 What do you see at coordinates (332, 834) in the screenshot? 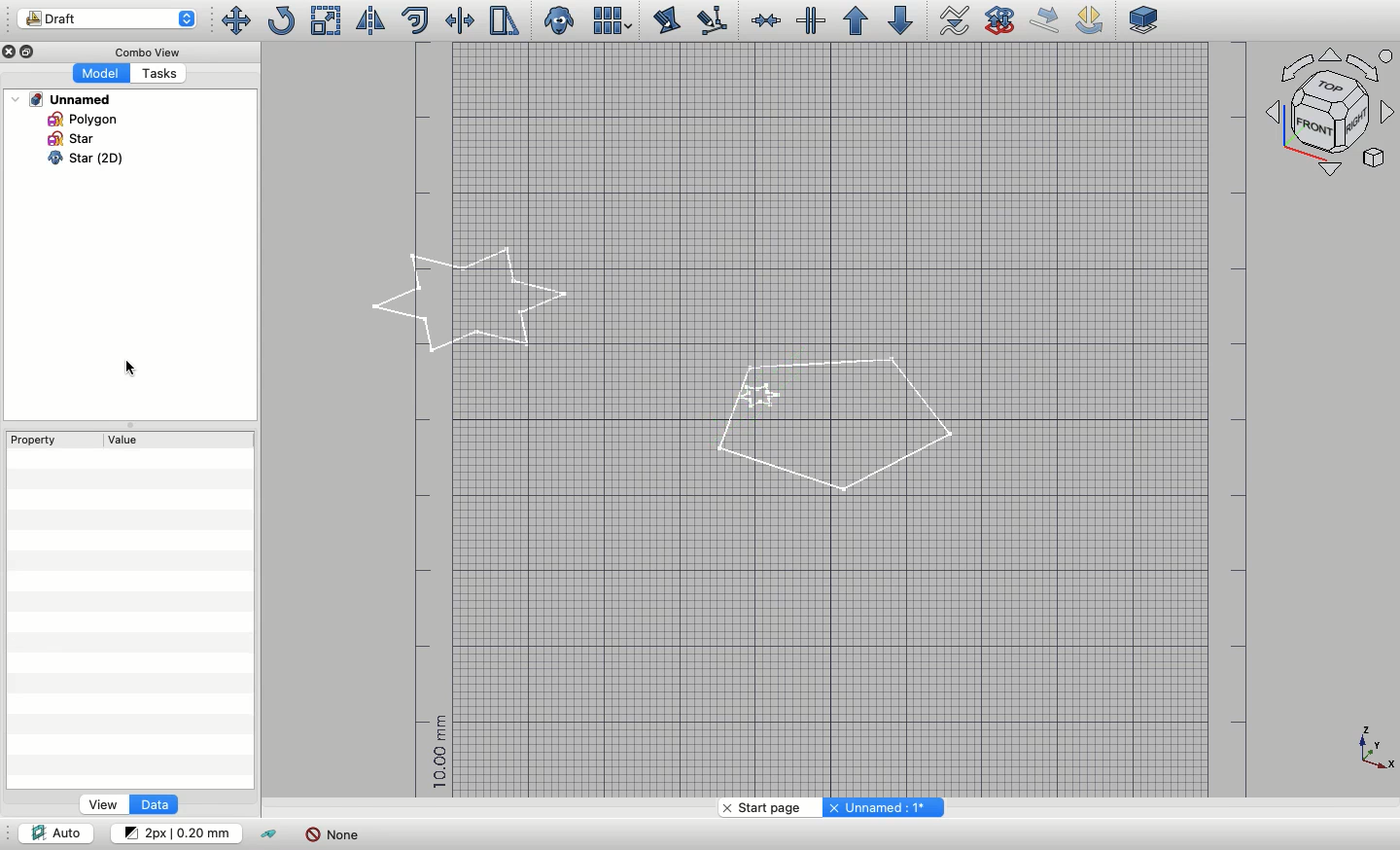
I see `None` at bounding box center [332, 834].